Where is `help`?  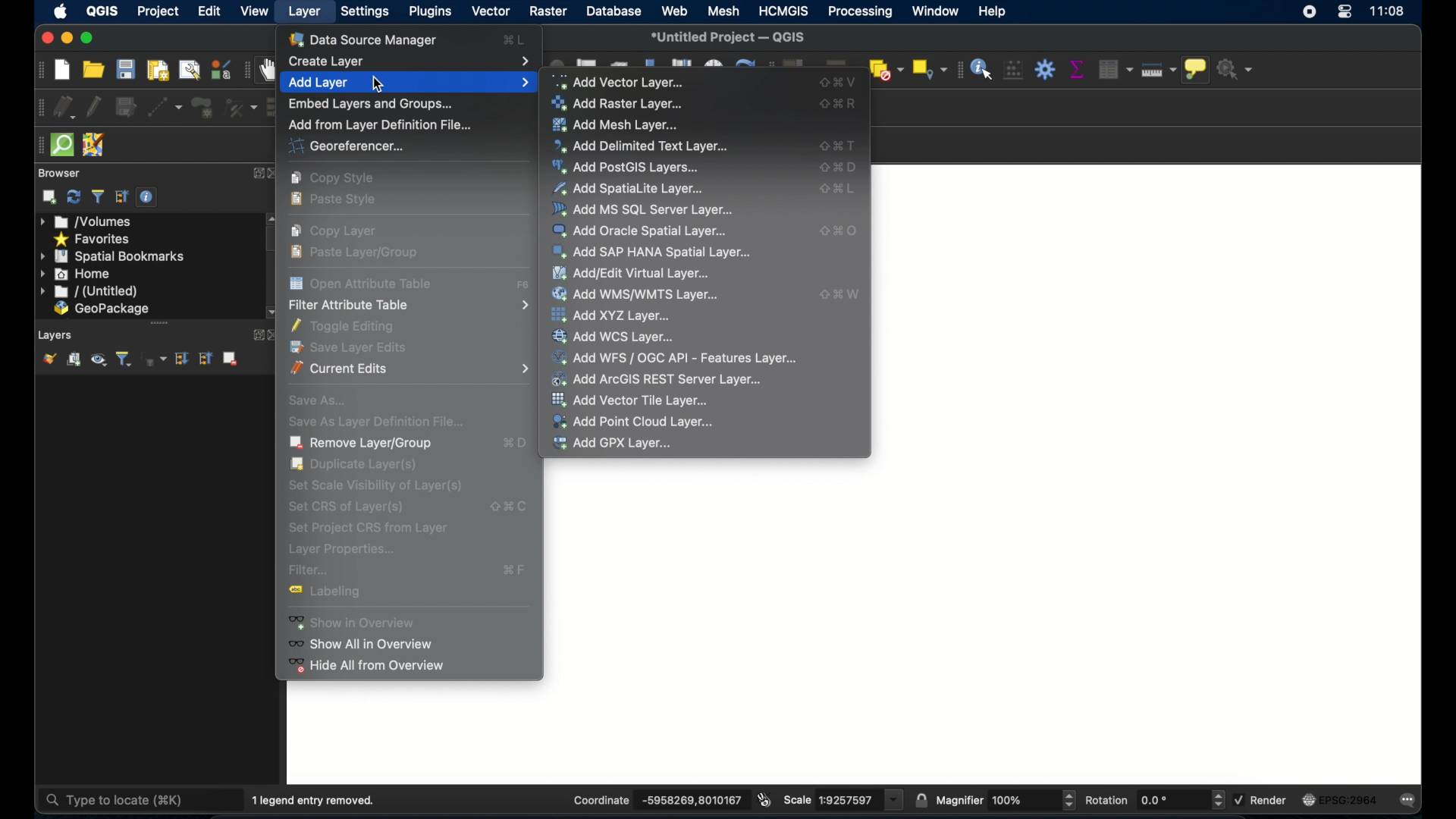
help is located at coordinates (994, 12).